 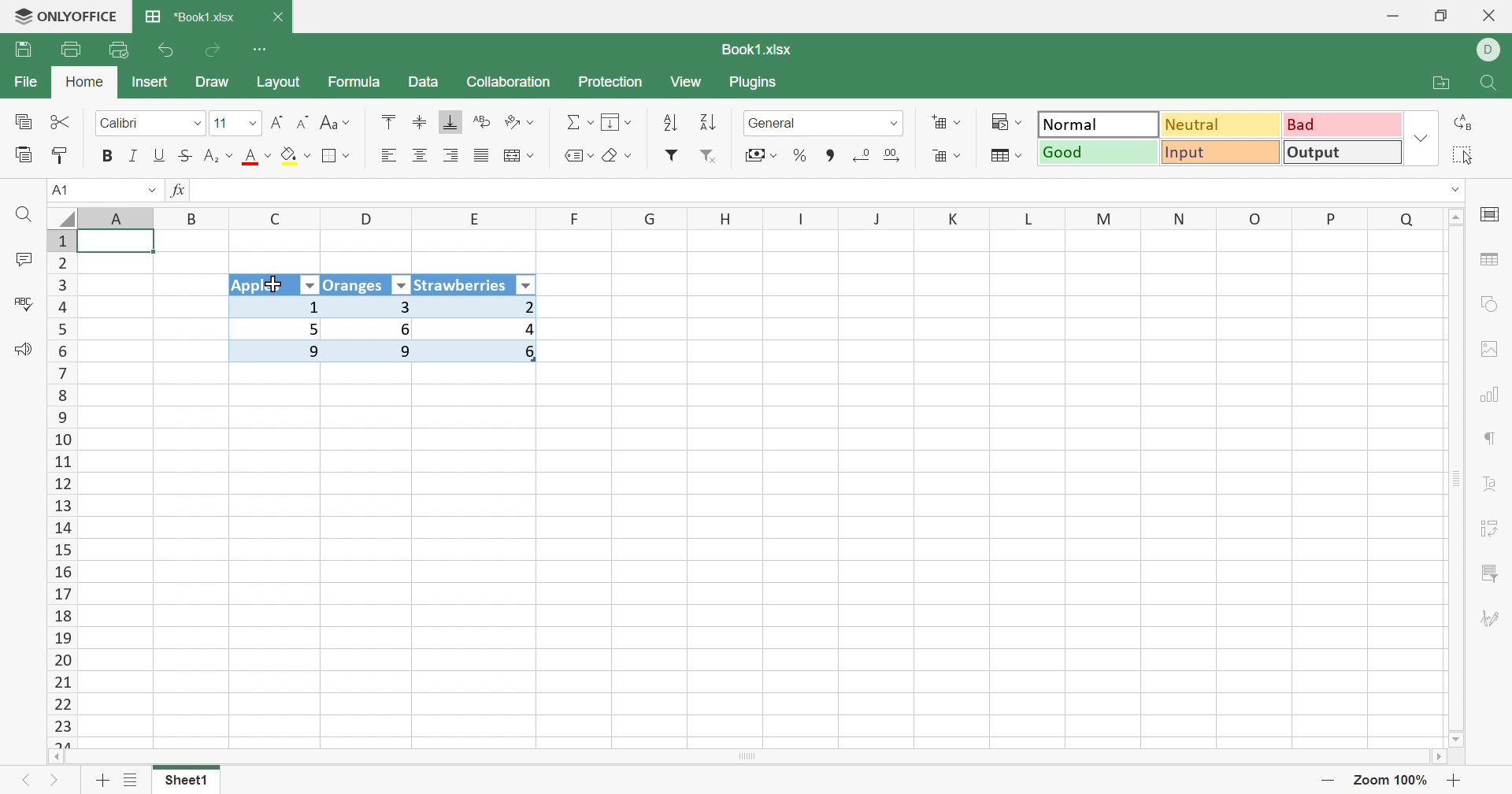 I want to click on Feedback & Support, so click(x=25, y=351).